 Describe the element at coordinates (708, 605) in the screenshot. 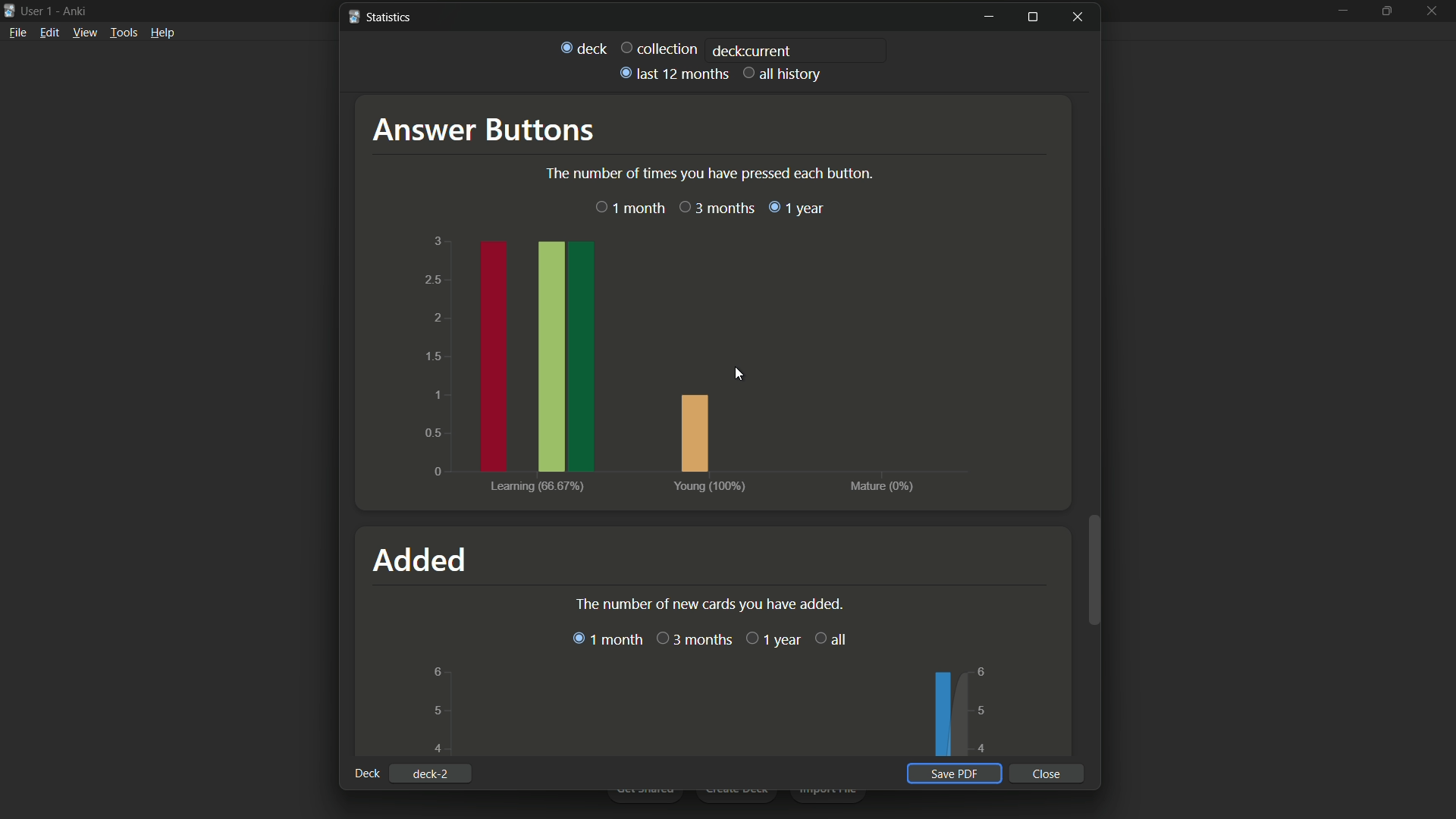

I see `The number of new cards you have added` at that location.